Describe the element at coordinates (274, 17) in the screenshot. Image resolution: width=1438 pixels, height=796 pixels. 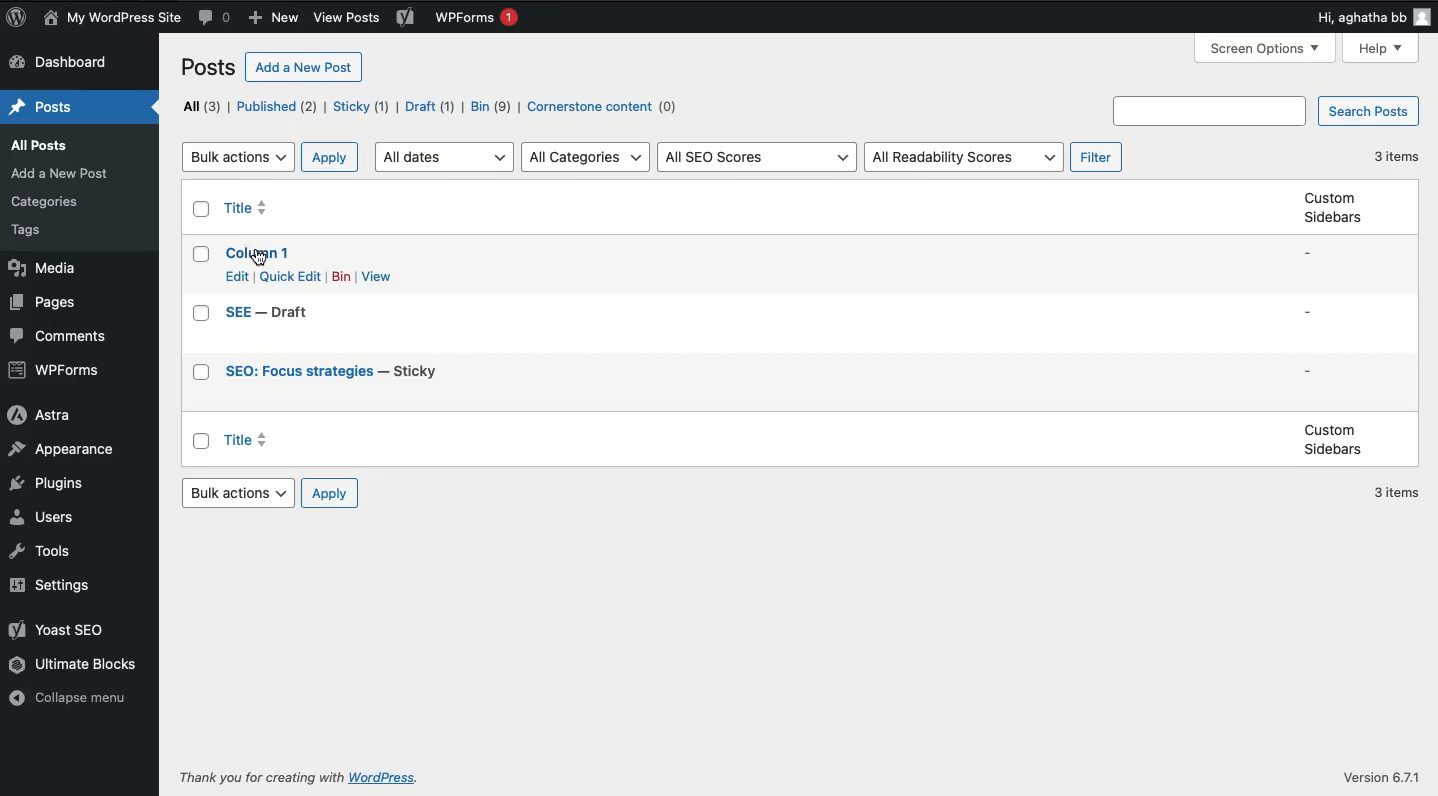
I see `New` at that location.